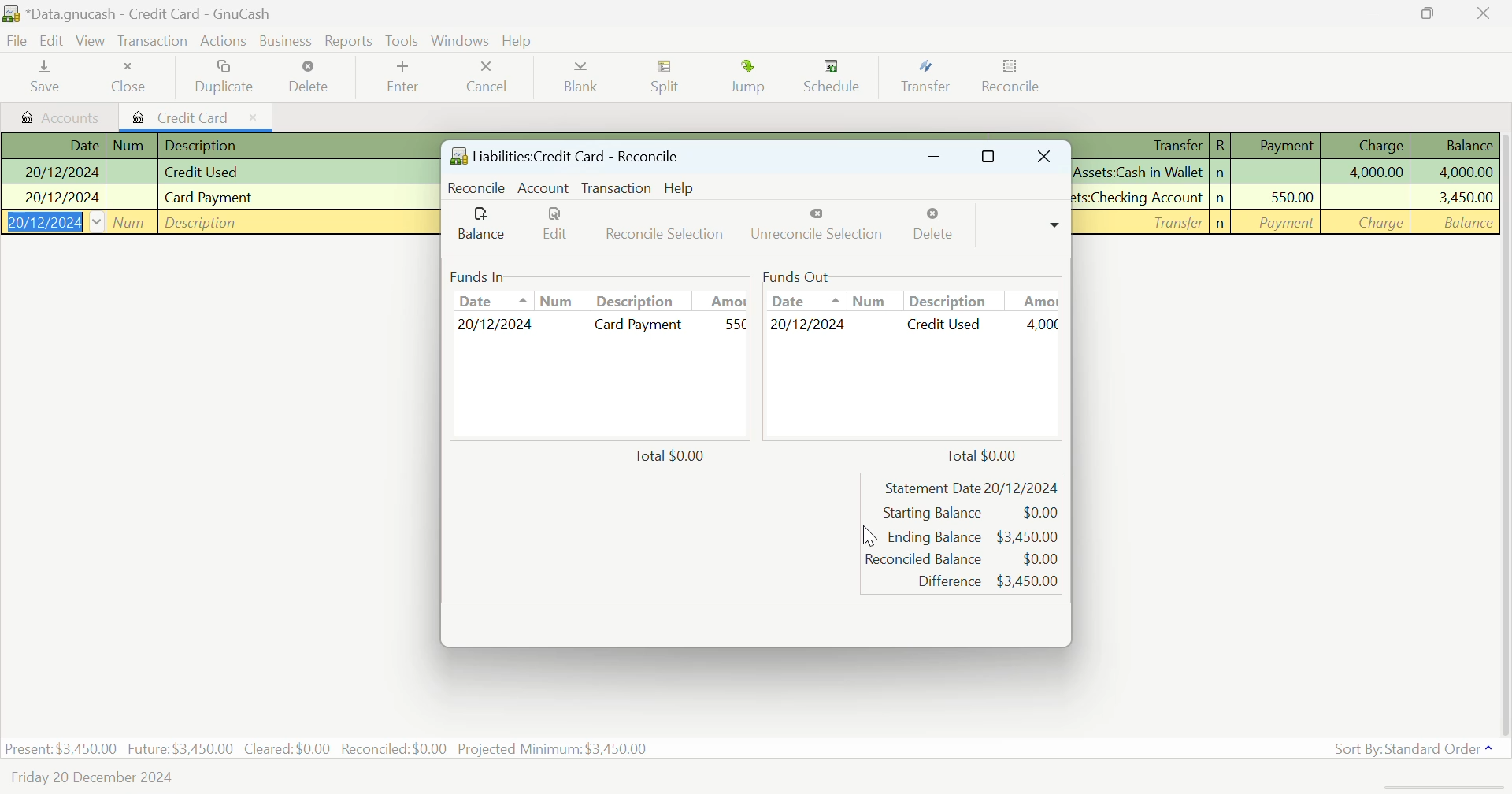 Image resolution: width=1512 pixels, height=794 pixels. I want to click on Blank, so click(584, 76).